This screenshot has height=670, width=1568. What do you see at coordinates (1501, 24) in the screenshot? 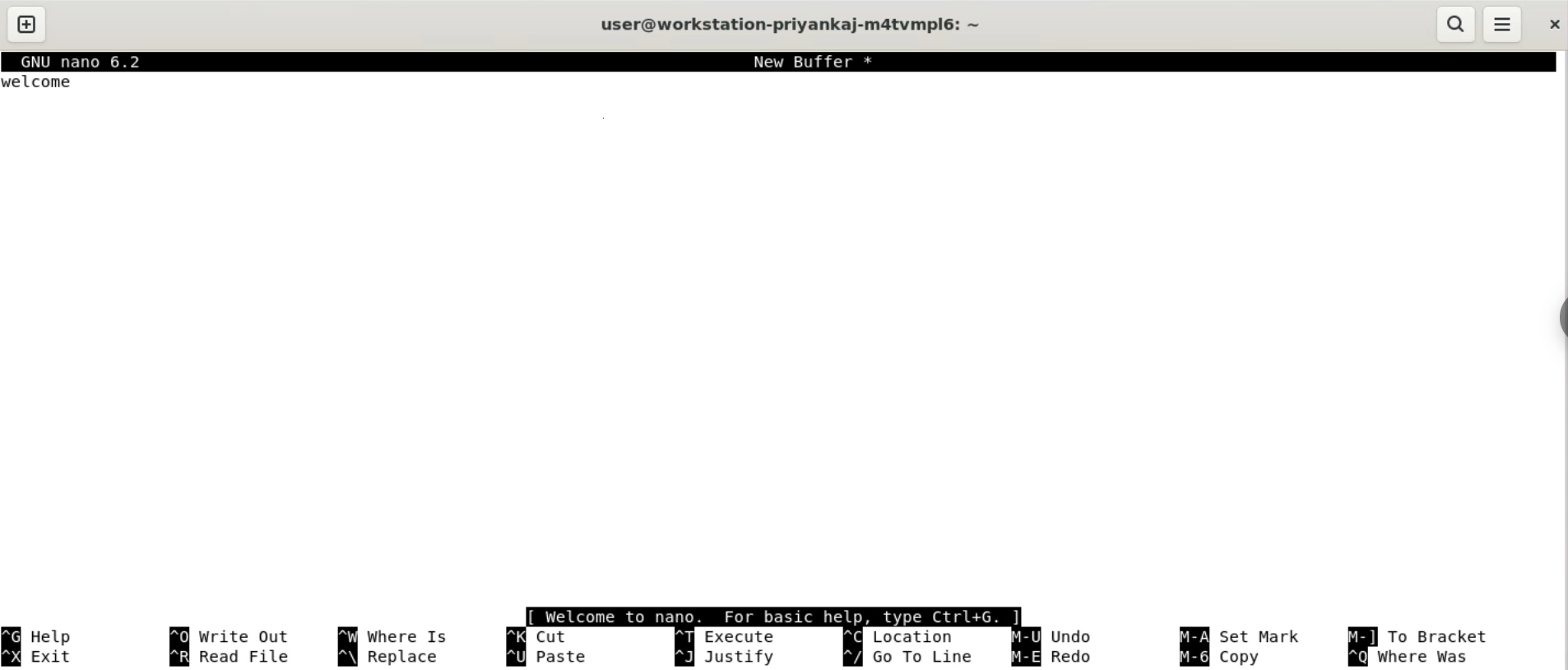
I see `menu` at bounding box center [1501, 24].